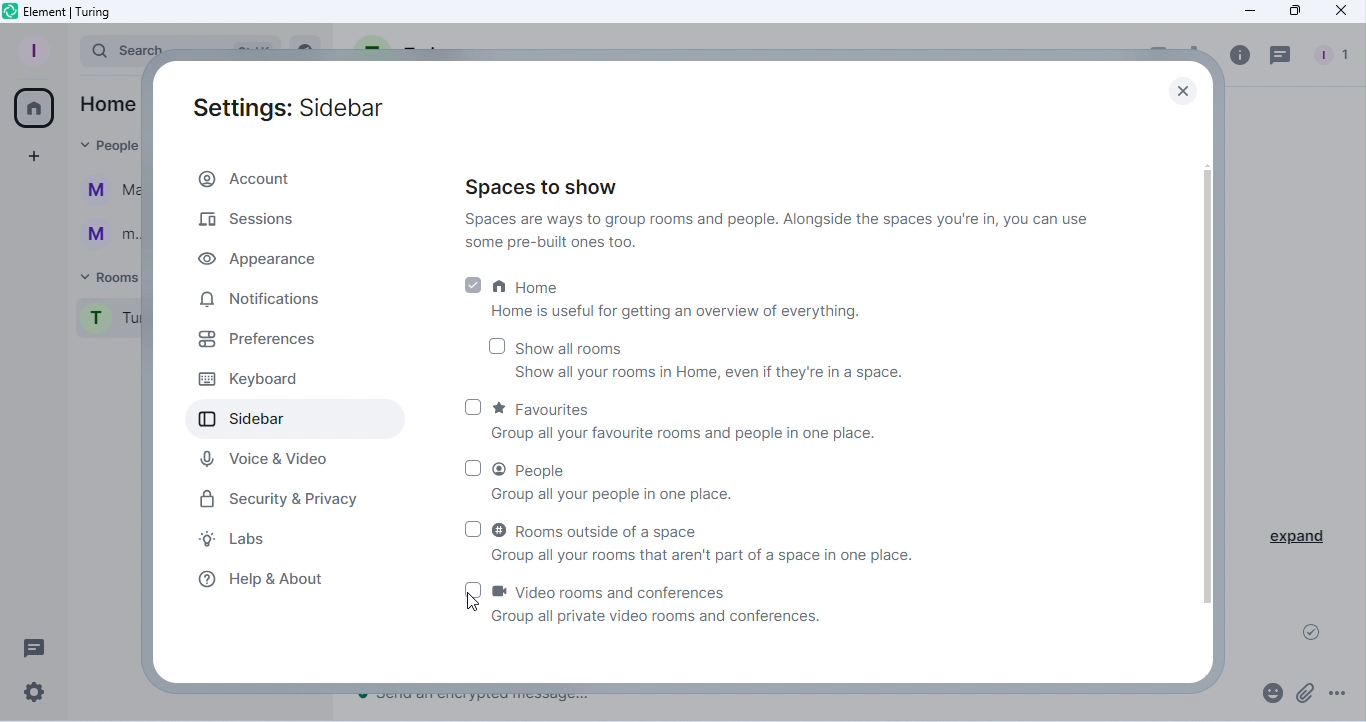 This screenshot has height=722, width=1366. What do you see at coordinates (667, 295) in the screenshot?
I see `Home` at bounding box center [667, 295].